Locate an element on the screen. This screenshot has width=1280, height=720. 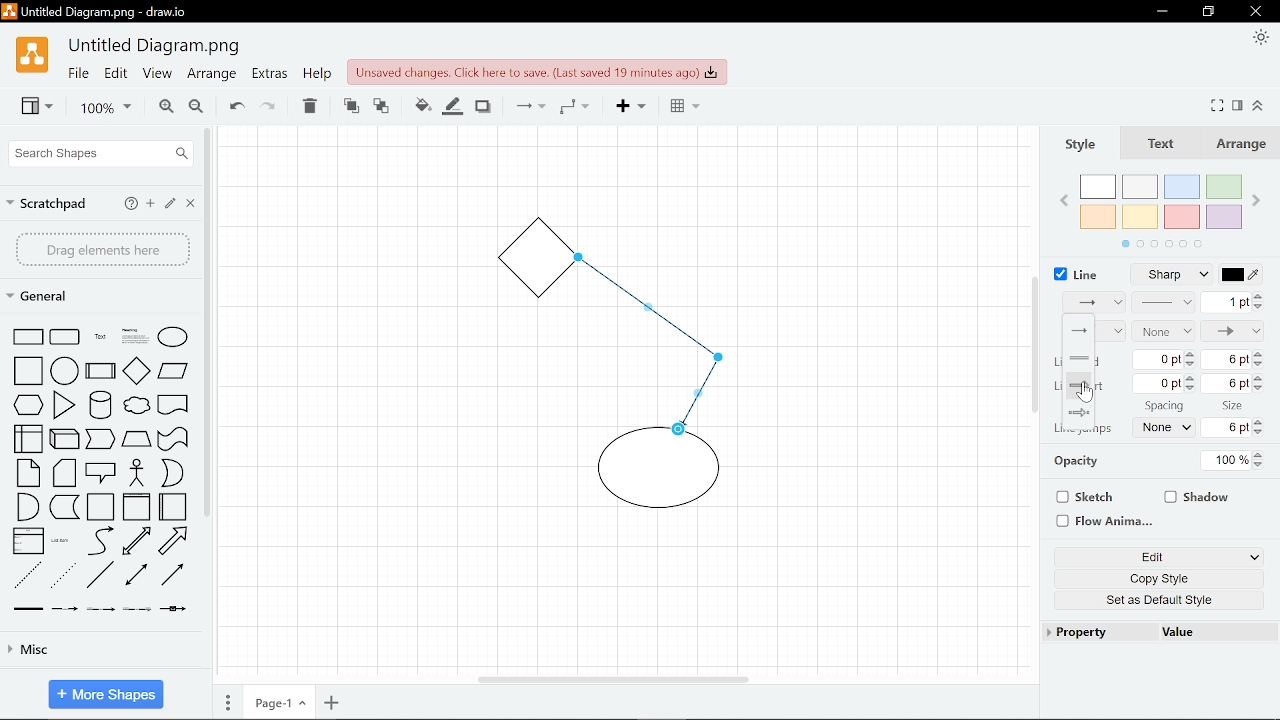
shape is located at coordinates (174, 507).